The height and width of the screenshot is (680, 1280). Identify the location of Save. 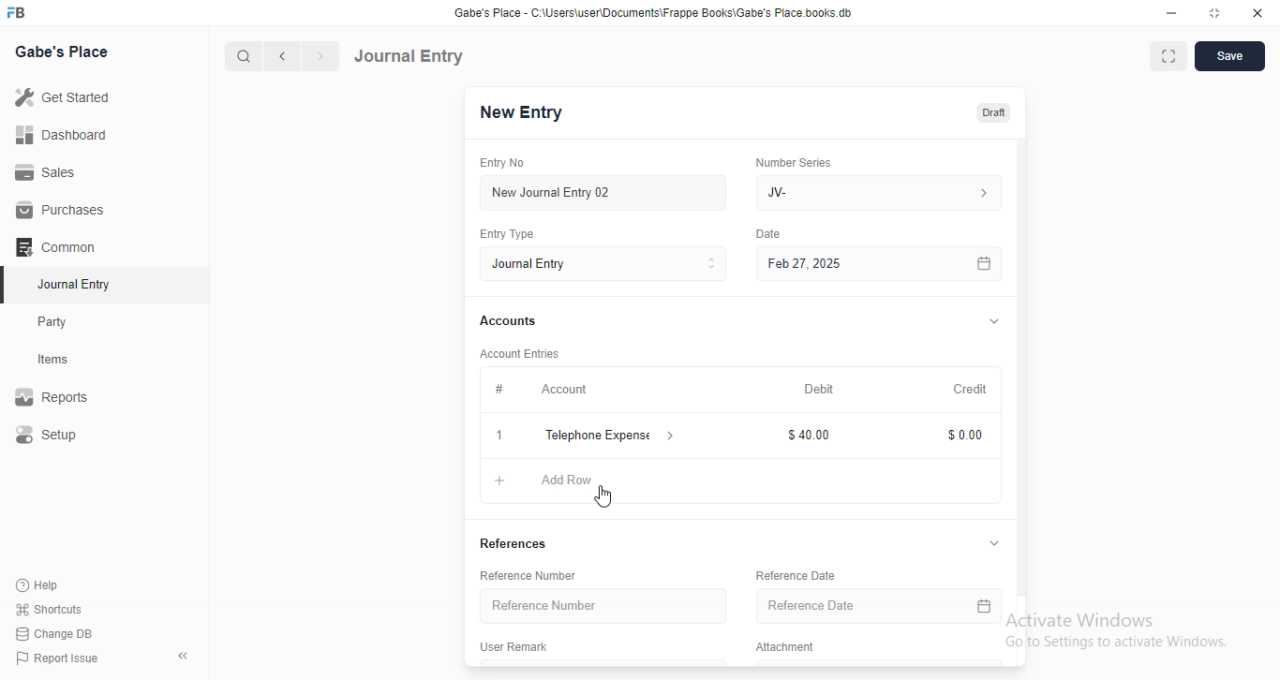
(1235, 56).